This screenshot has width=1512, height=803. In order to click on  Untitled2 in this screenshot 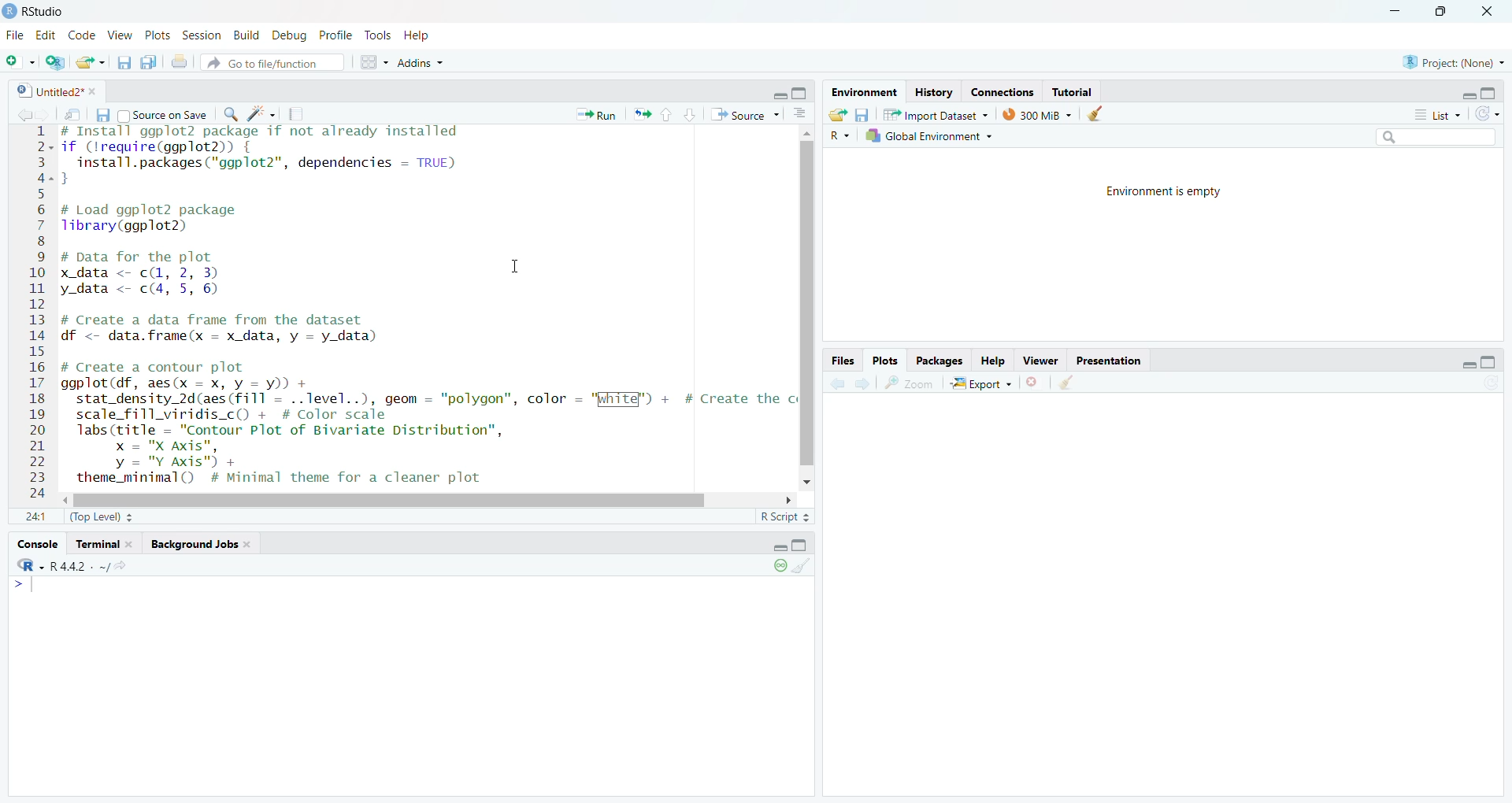, I will do `click(60, 93)`.